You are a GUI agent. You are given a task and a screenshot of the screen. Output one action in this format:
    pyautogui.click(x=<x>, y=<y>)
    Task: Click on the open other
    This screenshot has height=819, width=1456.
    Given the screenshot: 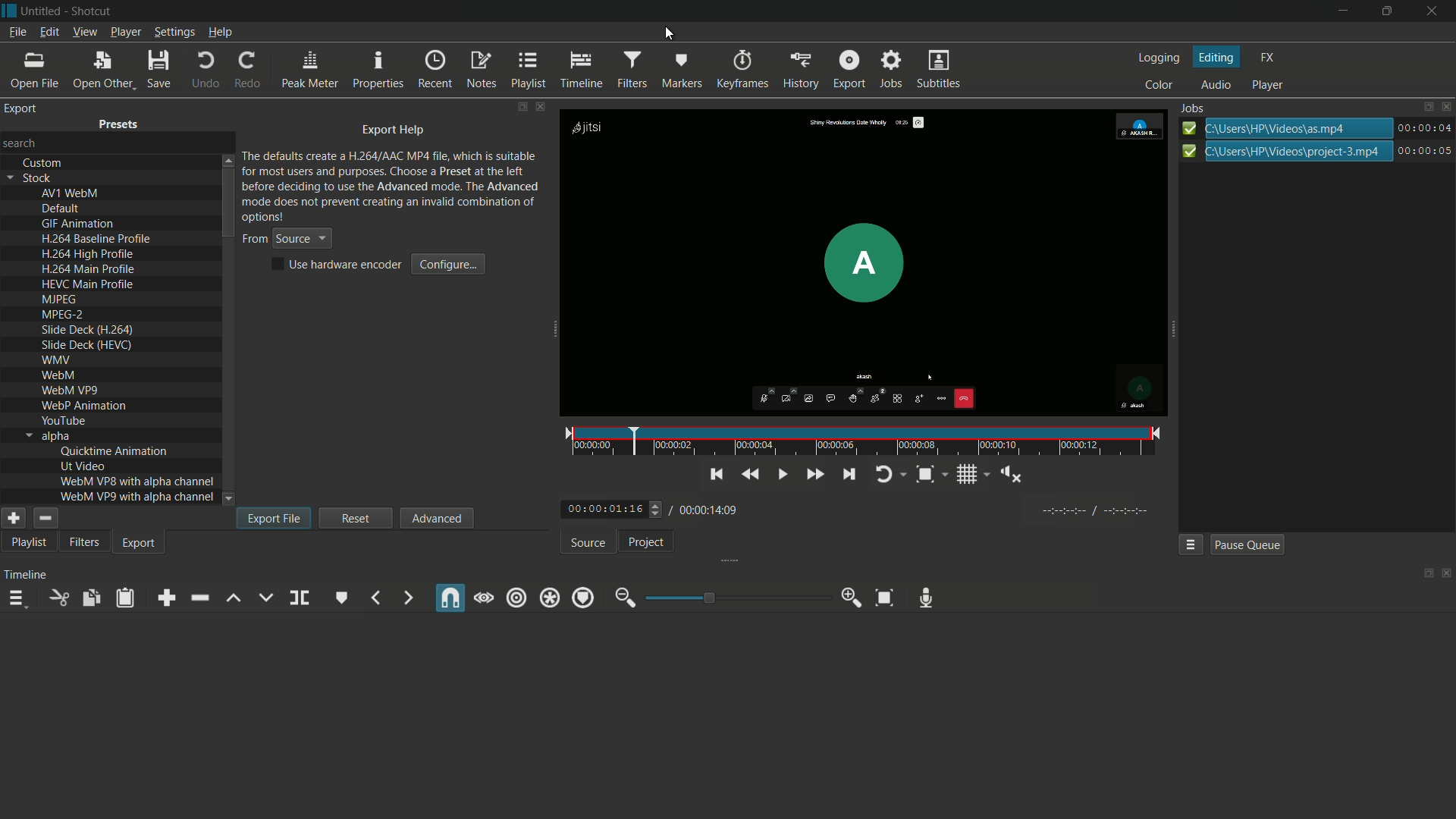 What is the action you would take?
    pyautogui.click(x=102, y=70)
    